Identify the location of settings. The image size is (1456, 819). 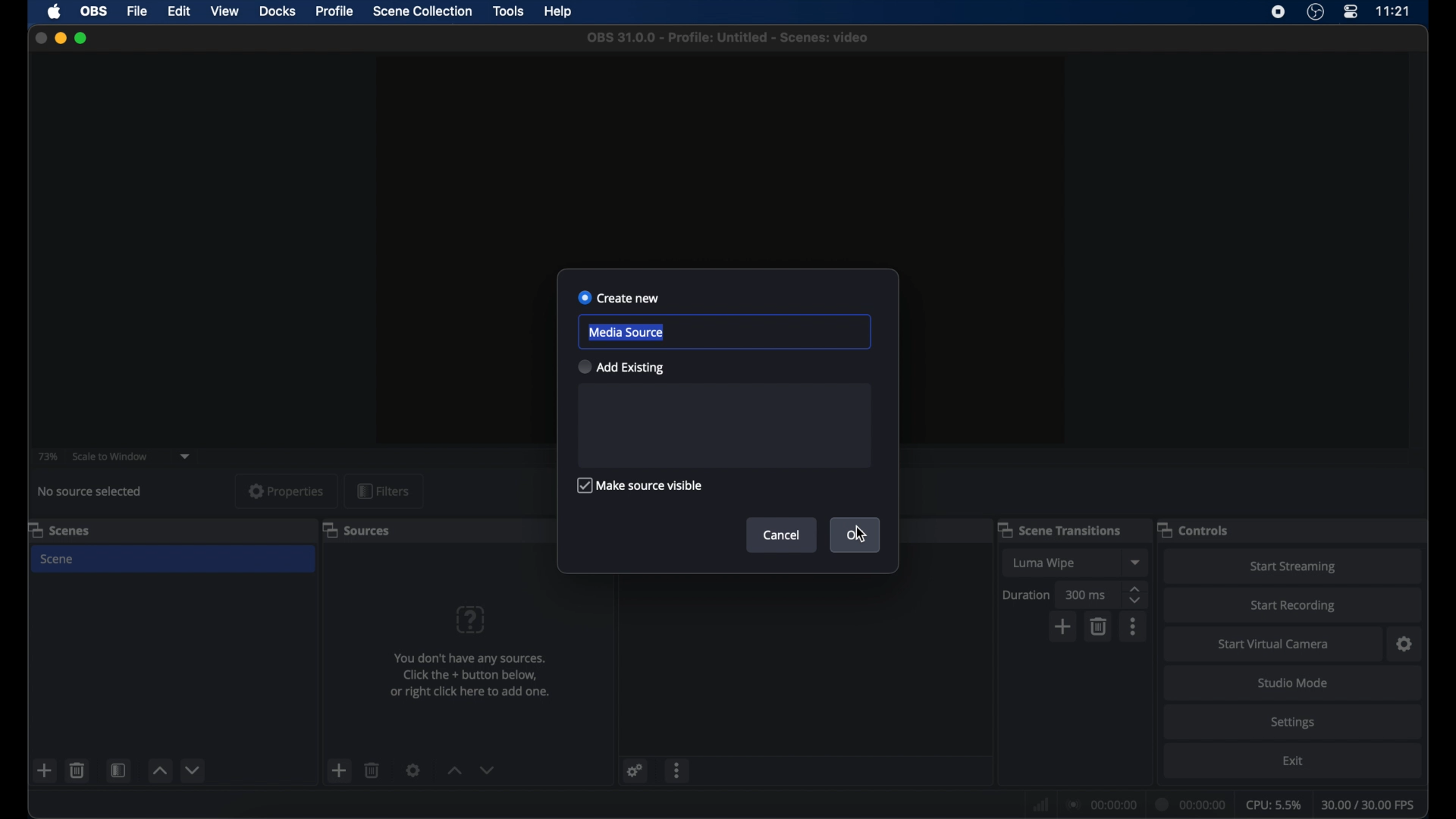
(1406, 645).